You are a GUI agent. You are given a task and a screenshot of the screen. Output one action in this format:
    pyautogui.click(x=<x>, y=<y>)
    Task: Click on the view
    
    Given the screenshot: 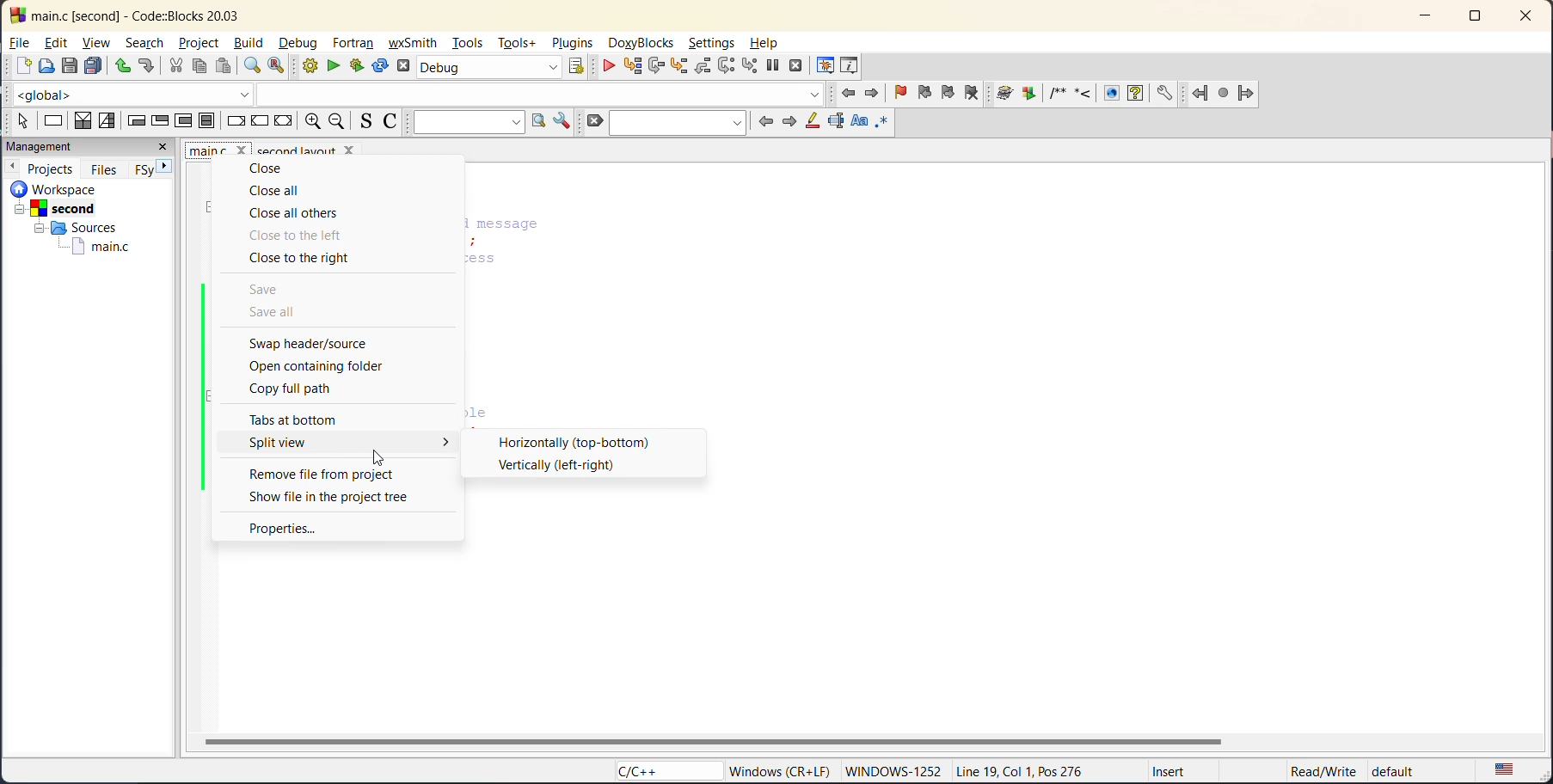 What is the action you would take?
    pyautogui.click(x=96, y=44)
    